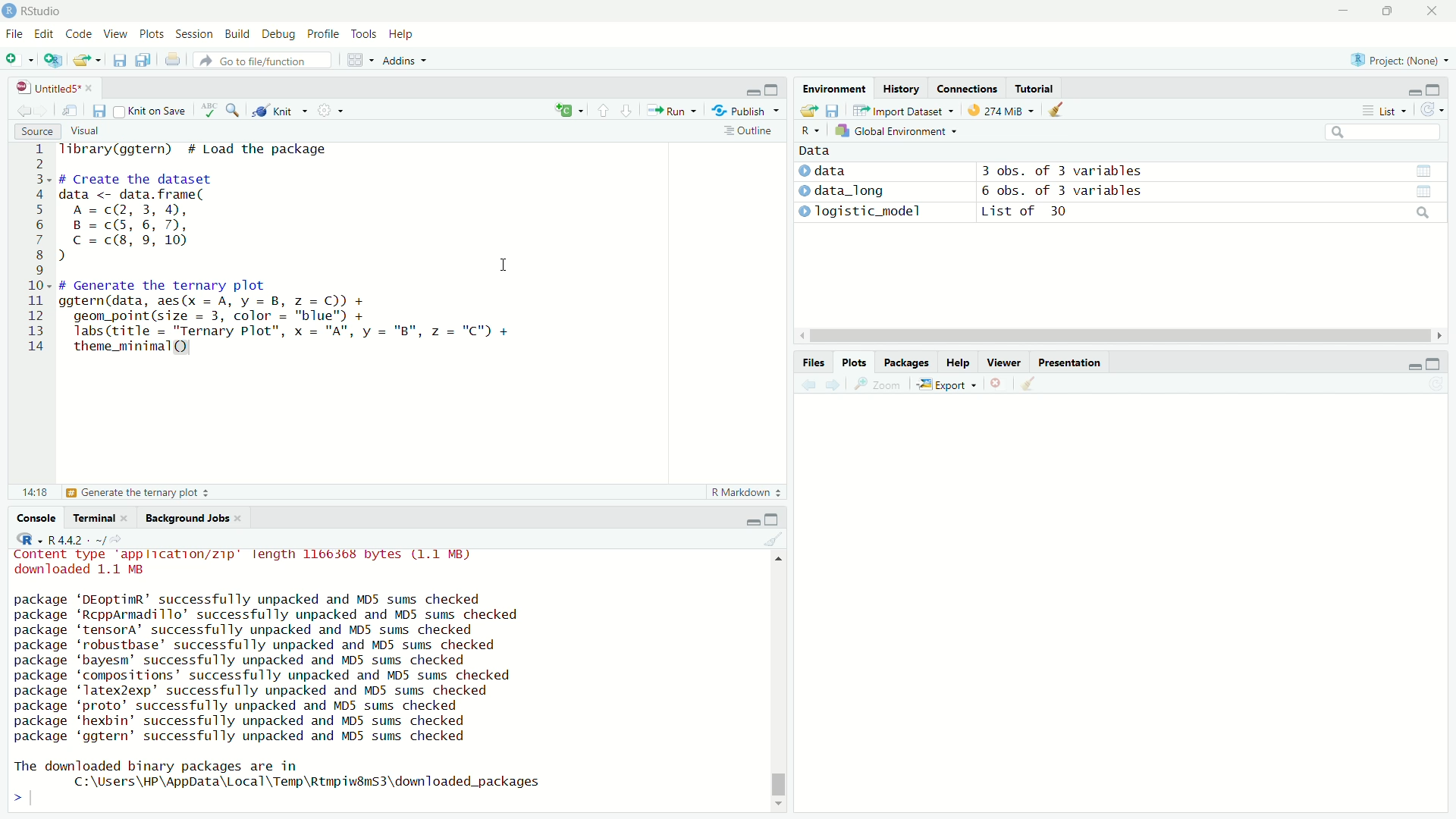  What do you see at coordinates (68, 539) in the screenshot?
I see `R442 - ~` at bounding box center [68, 539].